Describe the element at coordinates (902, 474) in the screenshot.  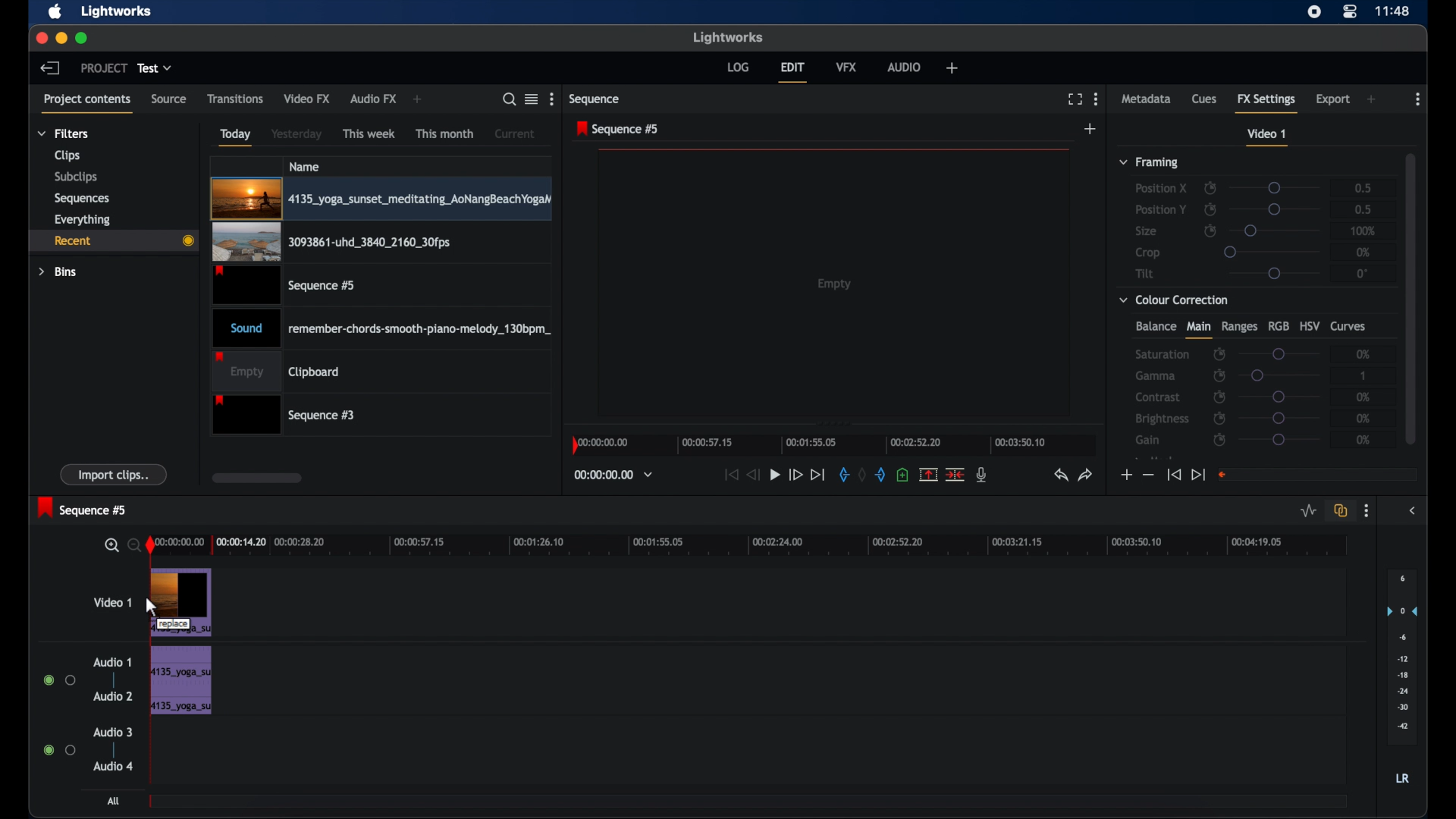
I see `adduce at the current position` at that location.